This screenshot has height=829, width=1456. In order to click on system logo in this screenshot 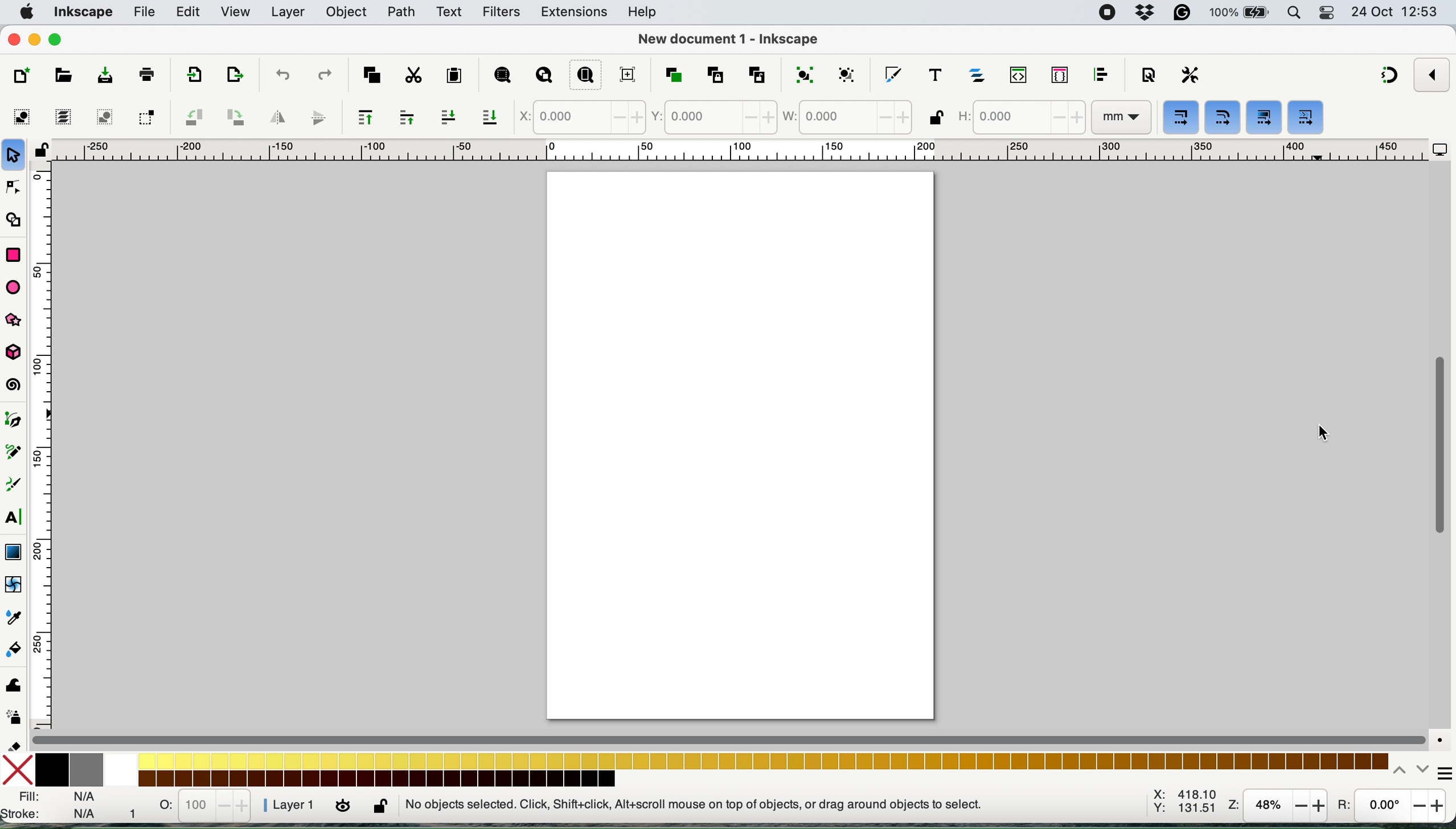, I will do `click(27, 13)`.